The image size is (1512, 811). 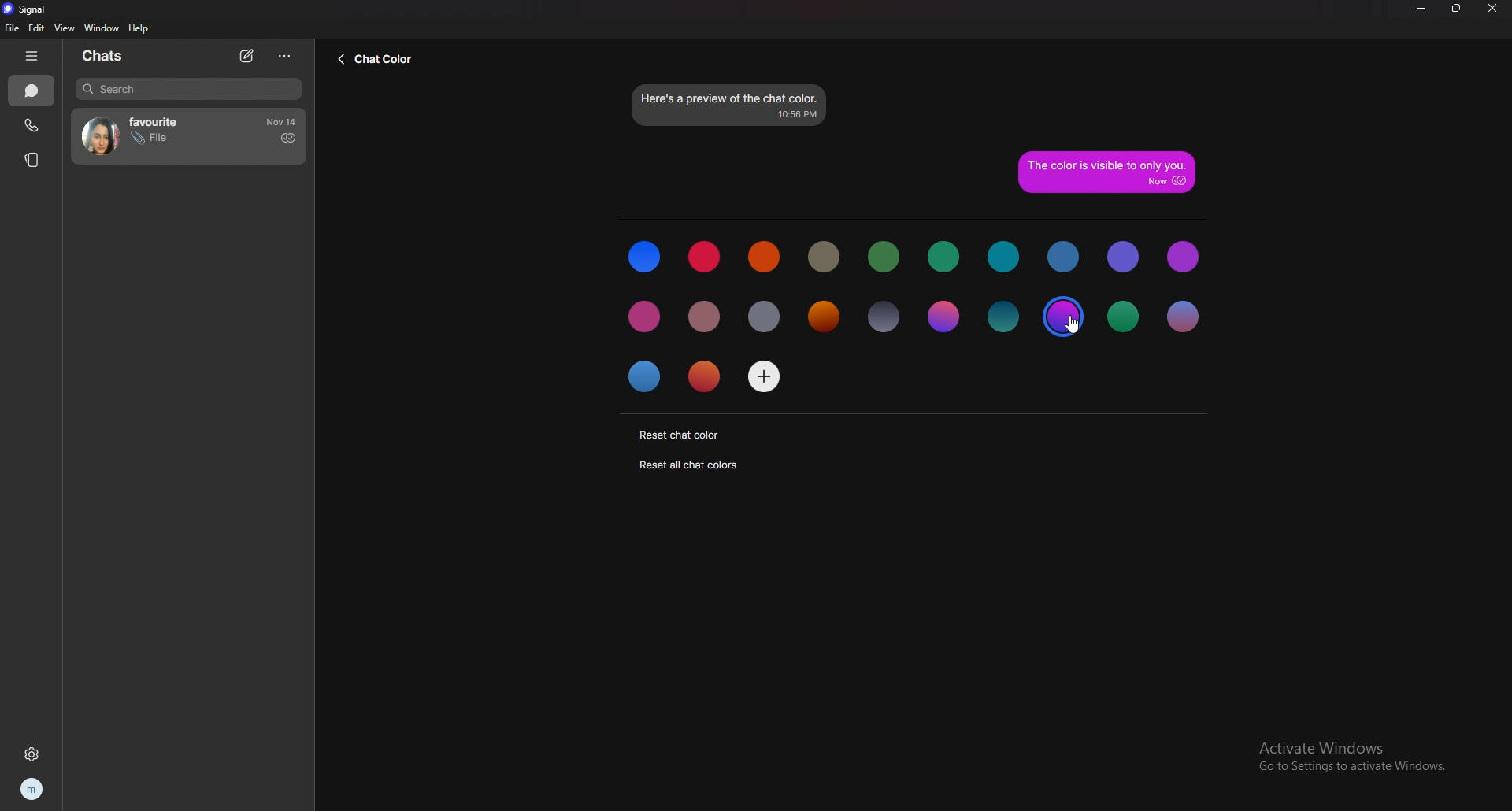 What do you see at coordinates (679, 435) in the screenshot?
I see `reset chat color` at bounding box center [679, 435].